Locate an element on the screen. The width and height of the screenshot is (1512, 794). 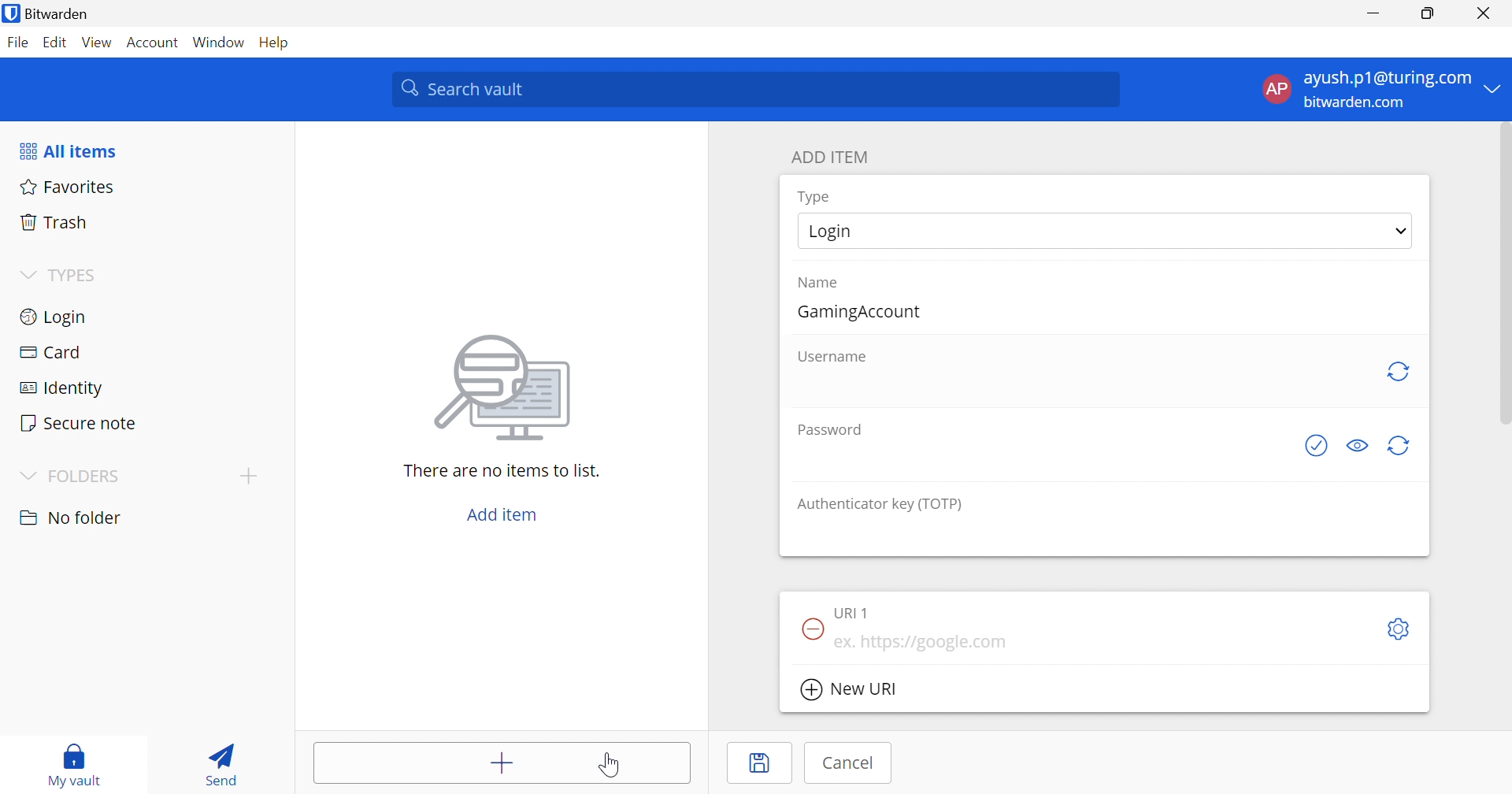
Send is located at coordinates (220, 762).